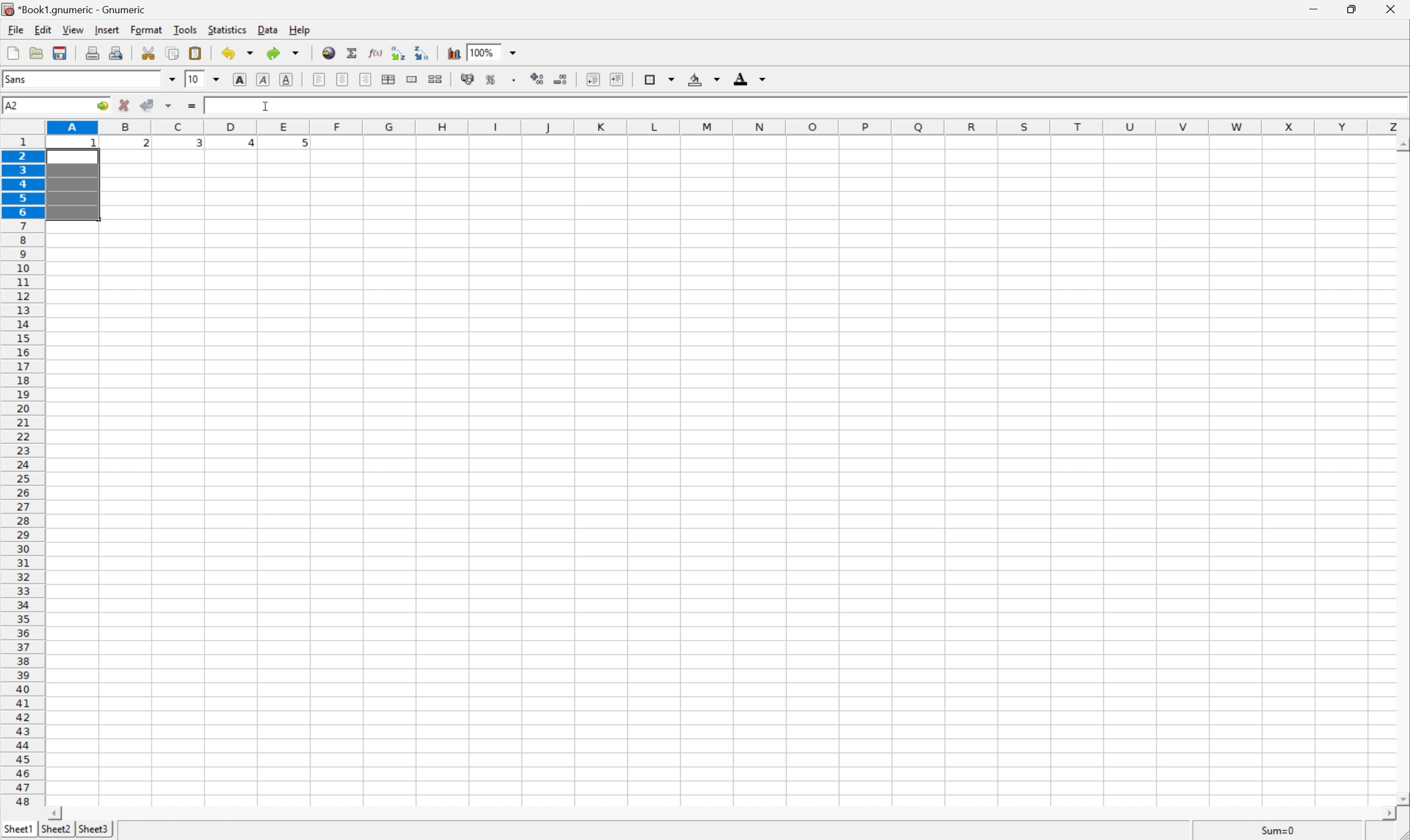  What do you see at coordinates (41, 29) in the screenshot?
I see `edit` at bounding box center [41, 29].